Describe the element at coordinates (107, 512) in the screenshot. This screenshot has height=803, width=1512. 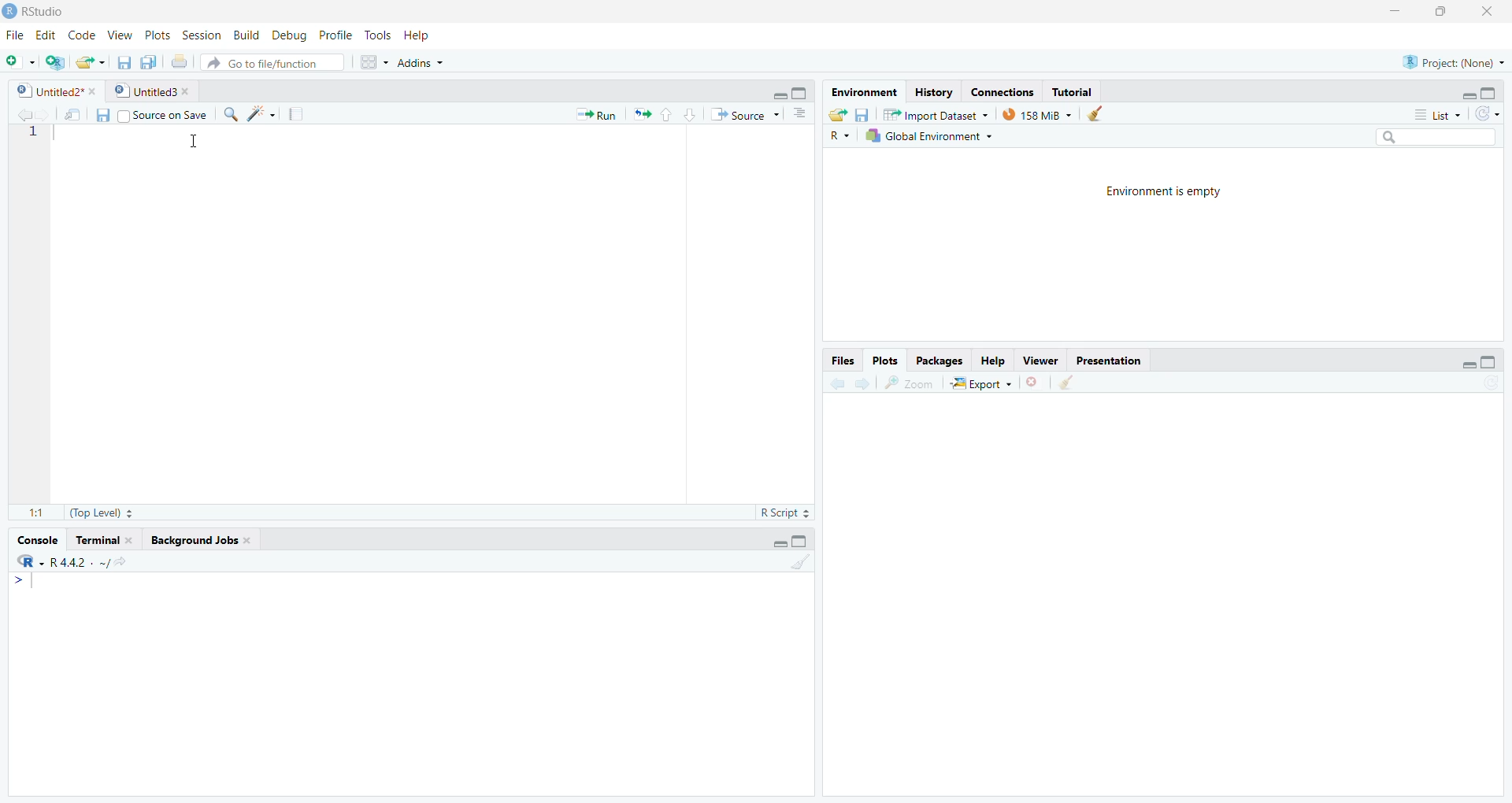
I see `(Top Level) ` at that location.